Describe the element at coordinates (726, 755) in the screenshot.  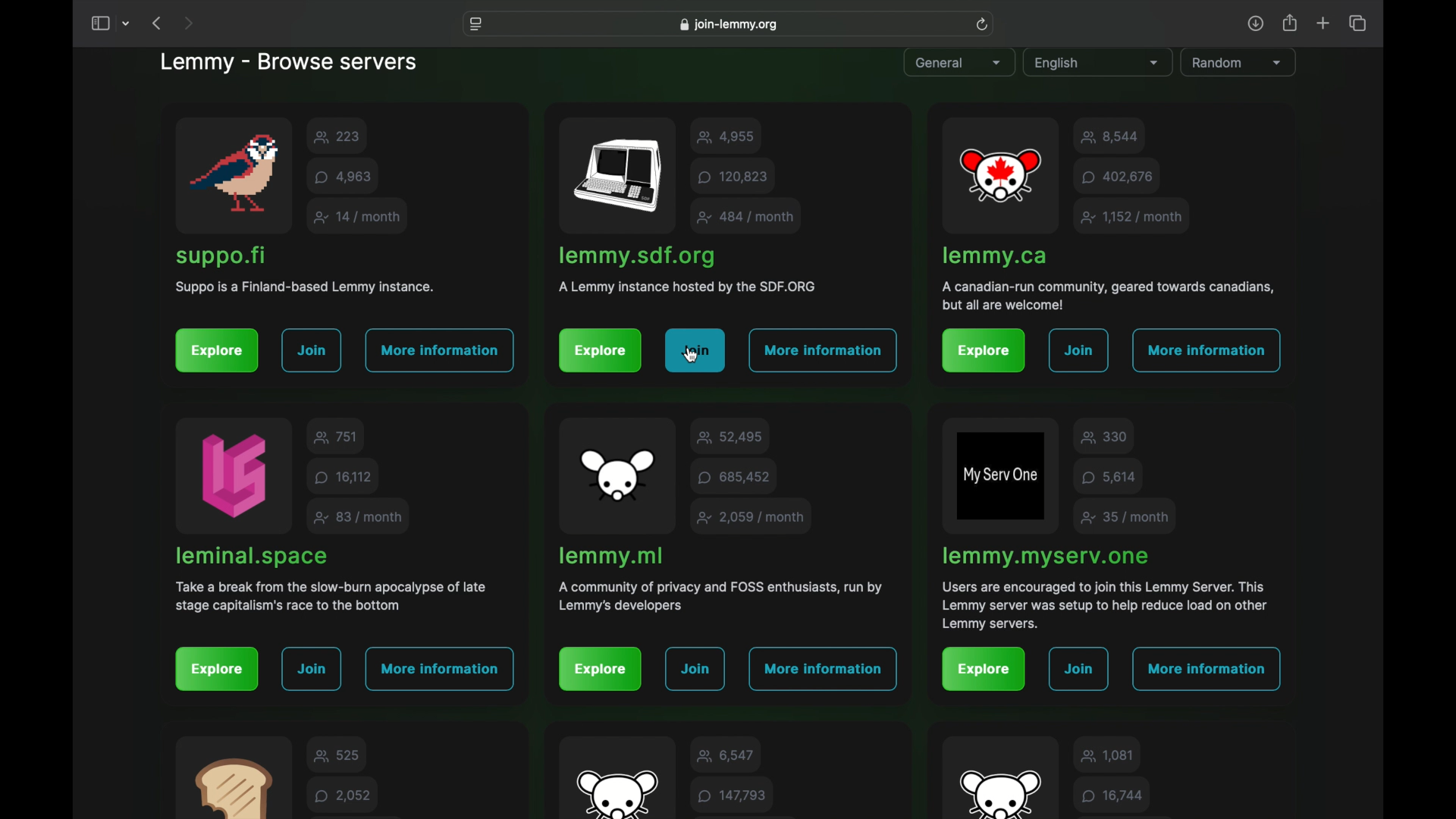
I see `participants` at that location.